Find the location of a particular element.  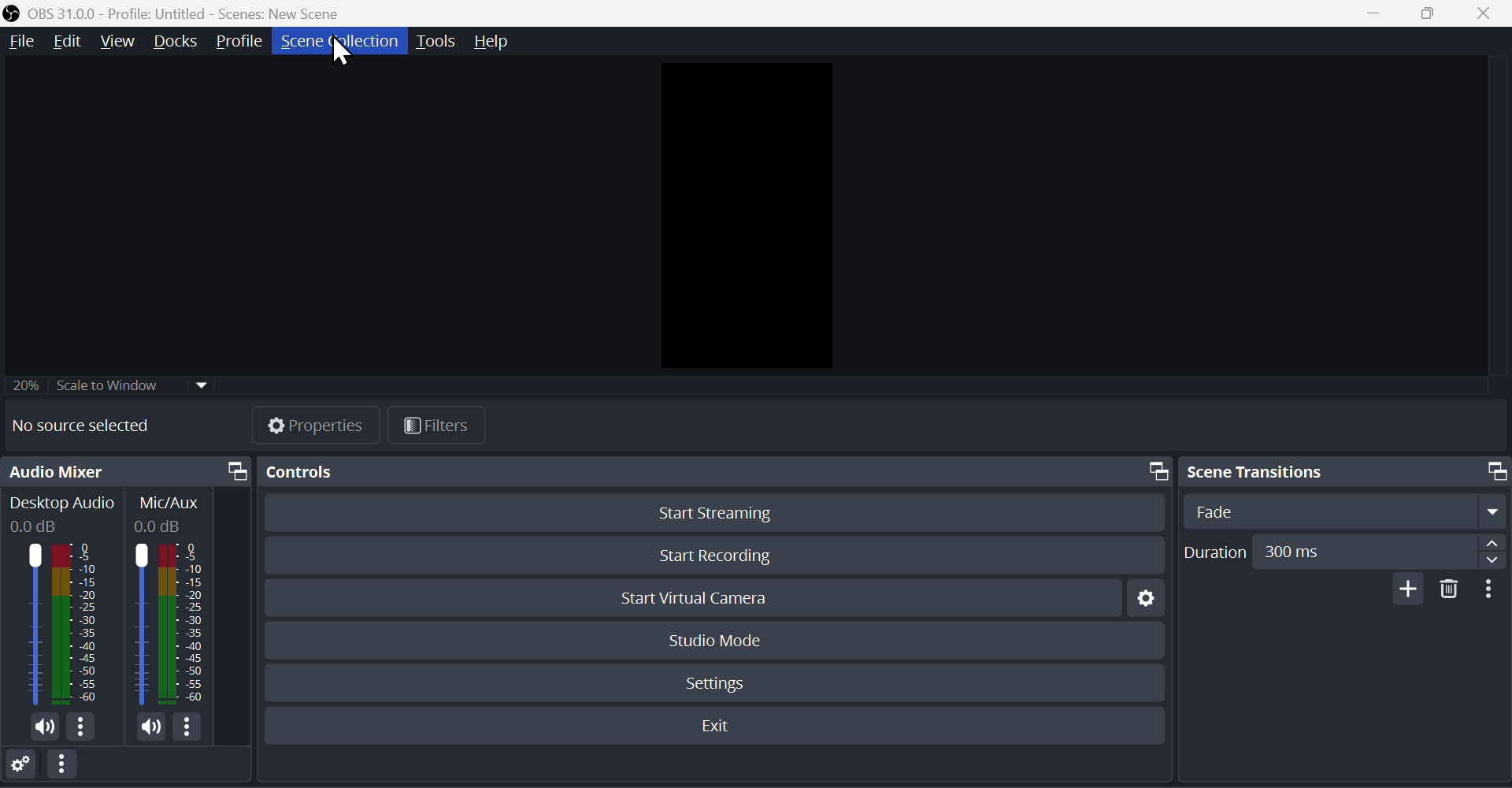

Exit is located at coordinates (721, 727).